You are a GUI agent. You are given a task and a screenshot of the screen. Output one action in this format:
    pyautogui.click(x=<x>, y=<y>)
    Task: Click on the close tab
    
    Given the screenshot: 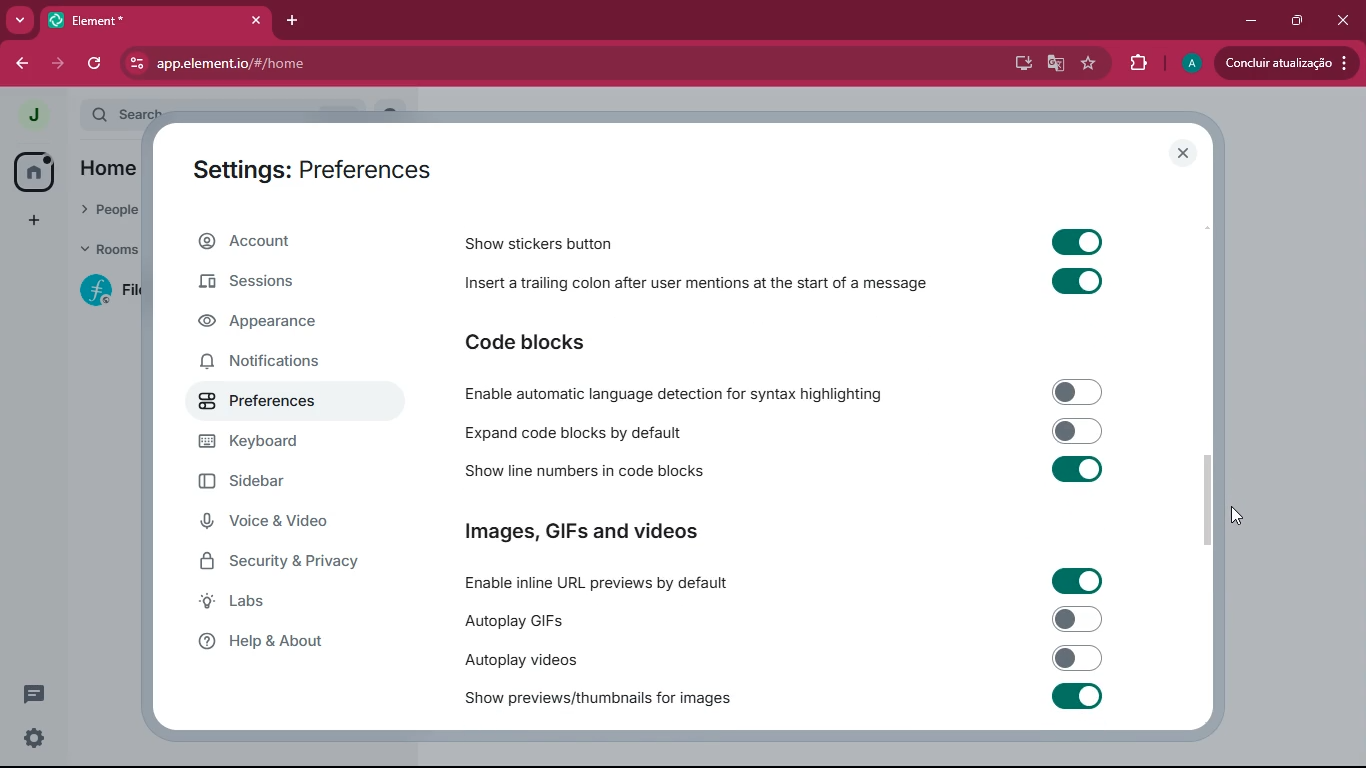 What is the action you would take?
    pyautogui.click(x=260, y=19)
    